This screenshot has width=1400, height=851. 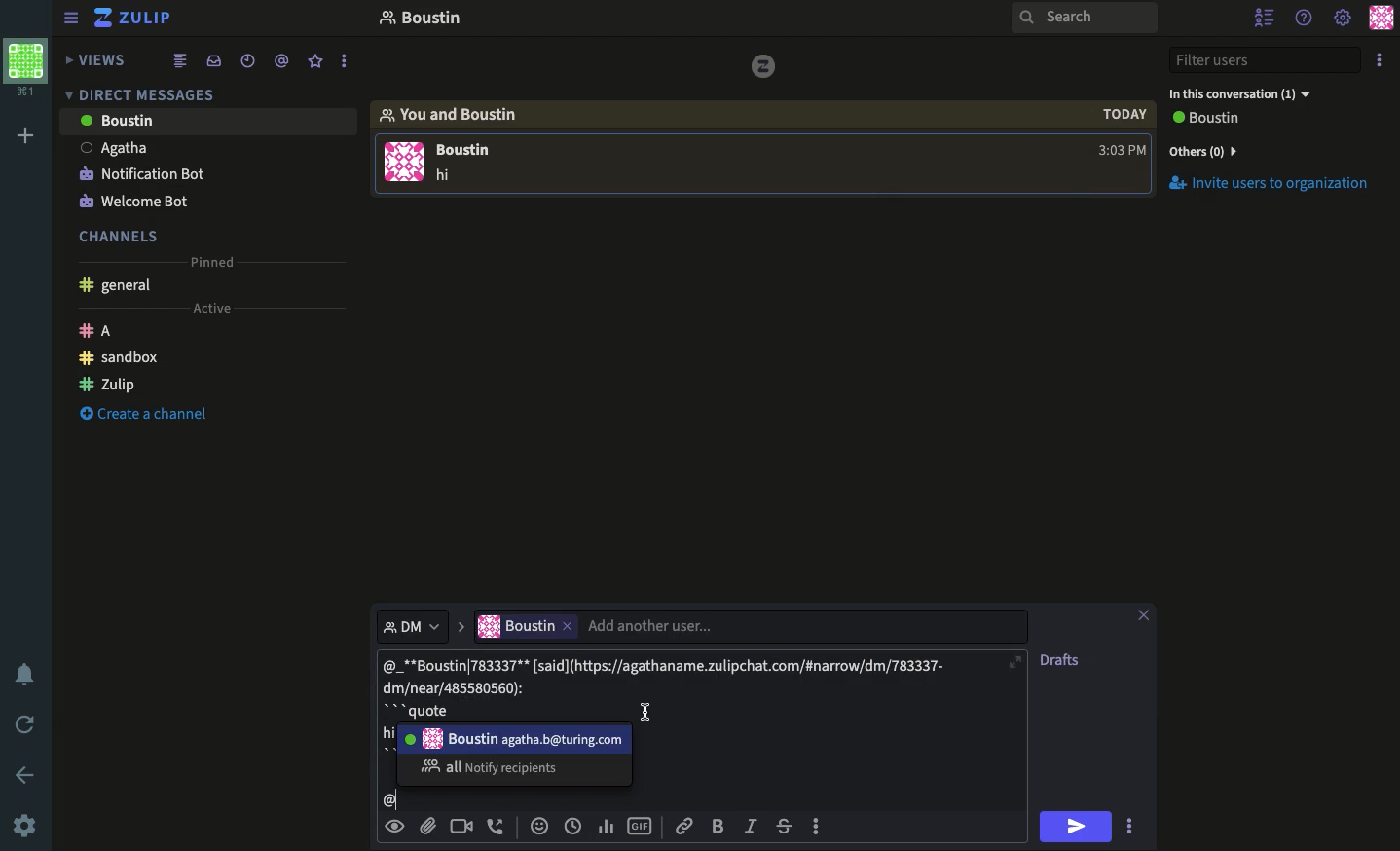 I want to click on Thread dropdown, so click(x=406, y=624).